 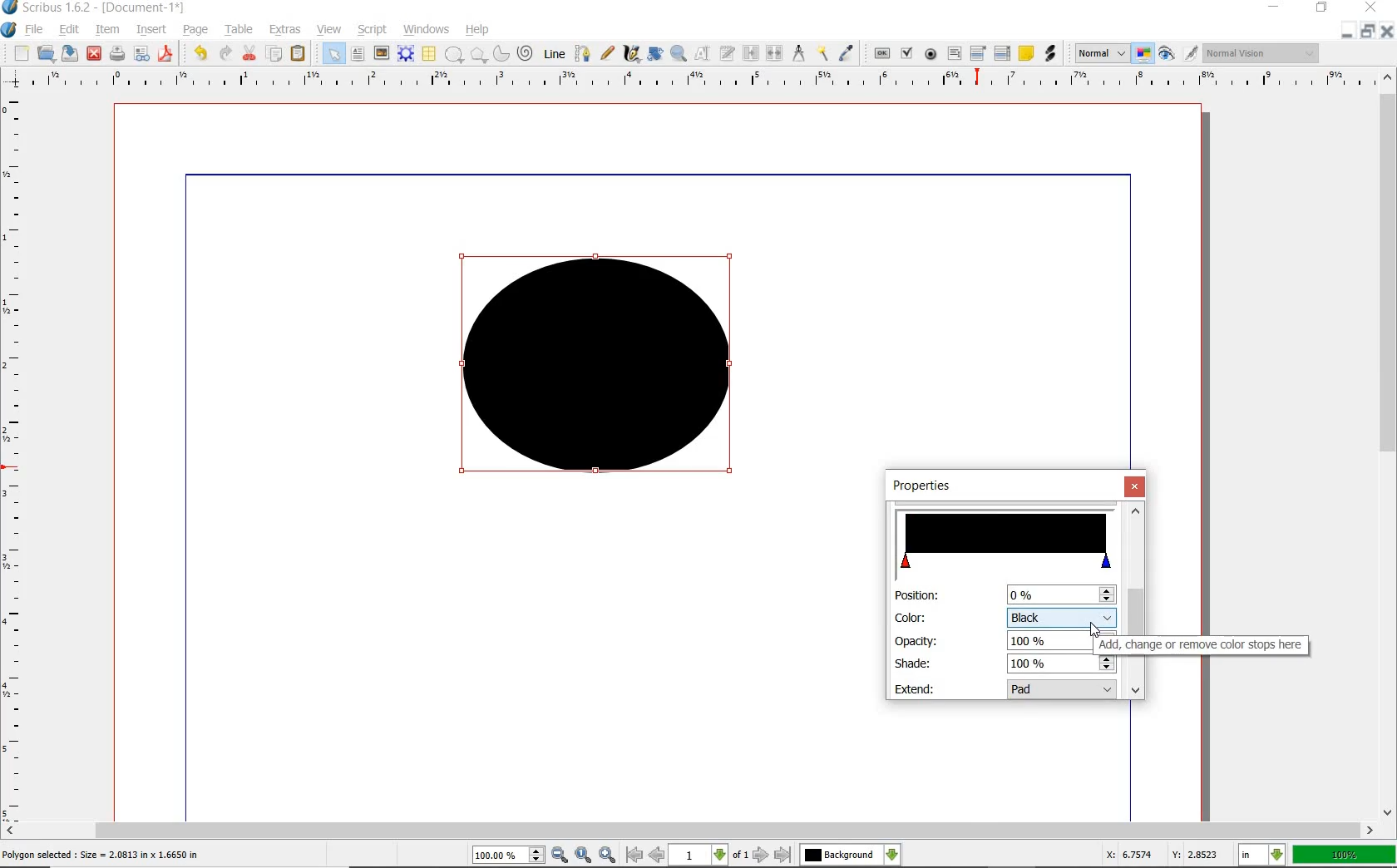 What do you see at coordinates (478, 55) in the screenshot?
I see `POLYGON` at bounding box center [478, 55].